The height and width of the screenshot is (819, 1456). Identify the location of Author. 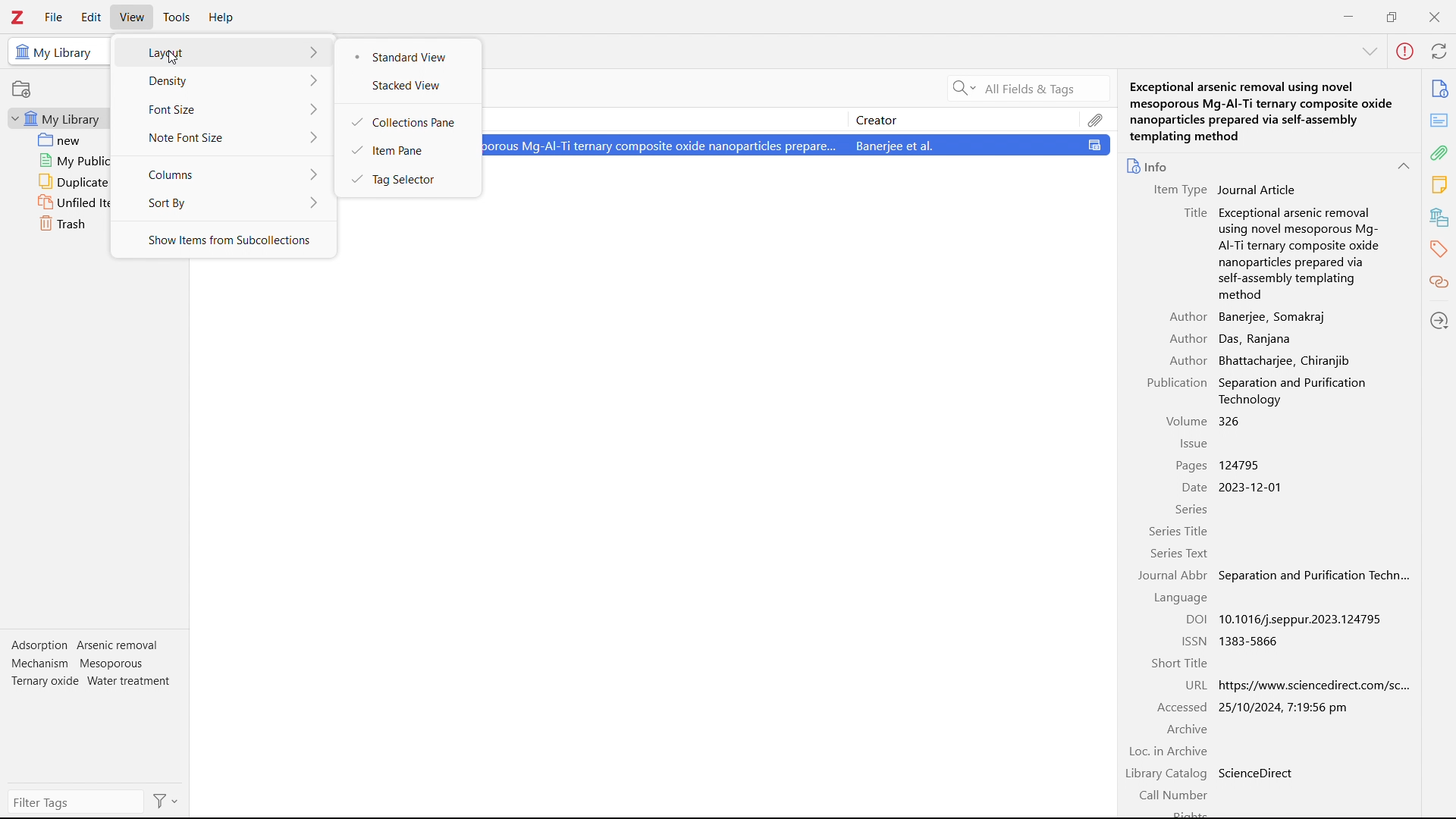
(1188, 359).